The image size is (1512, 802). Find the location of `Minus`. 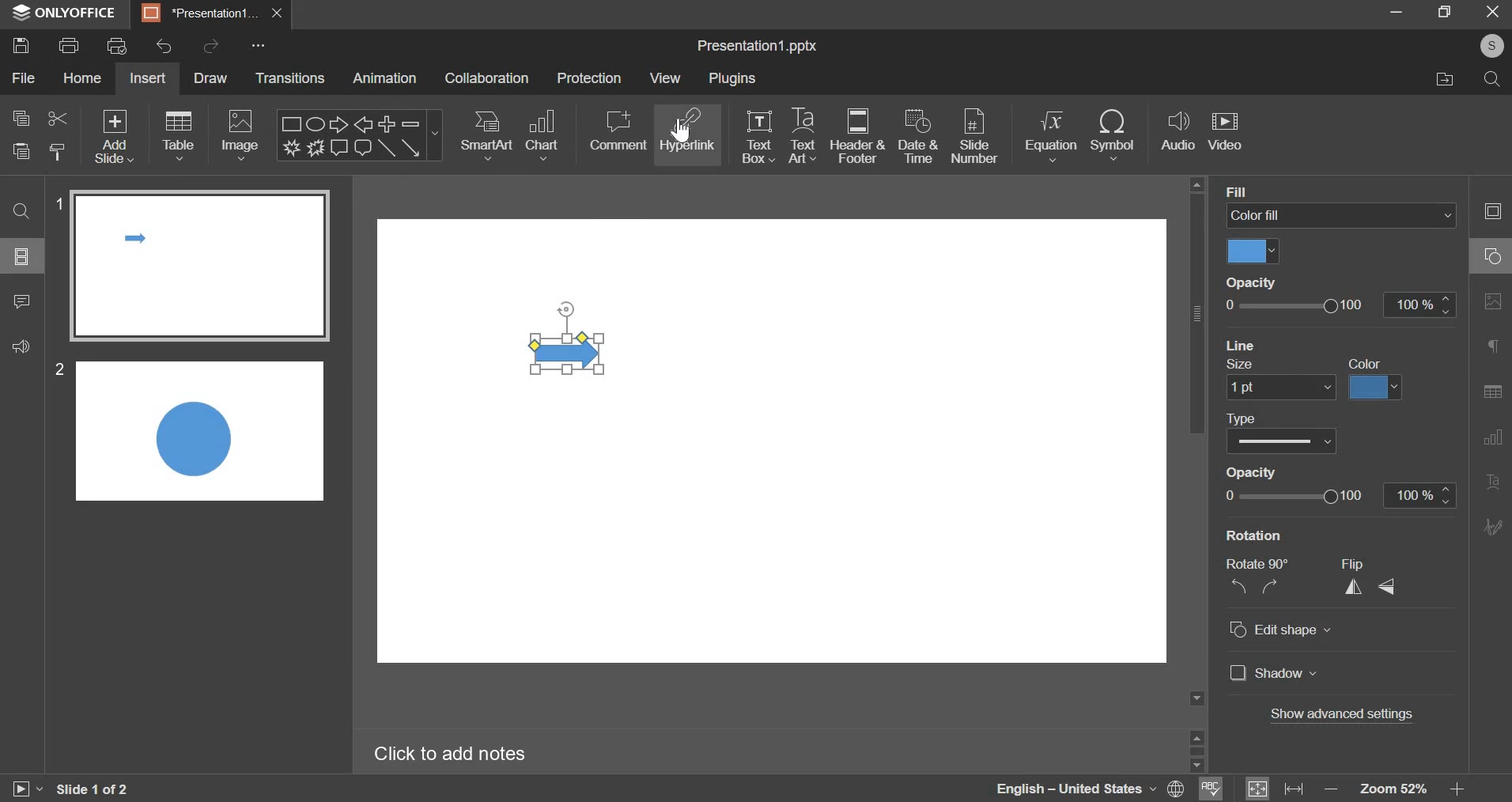

Minus is located at coordinates (411, 123).